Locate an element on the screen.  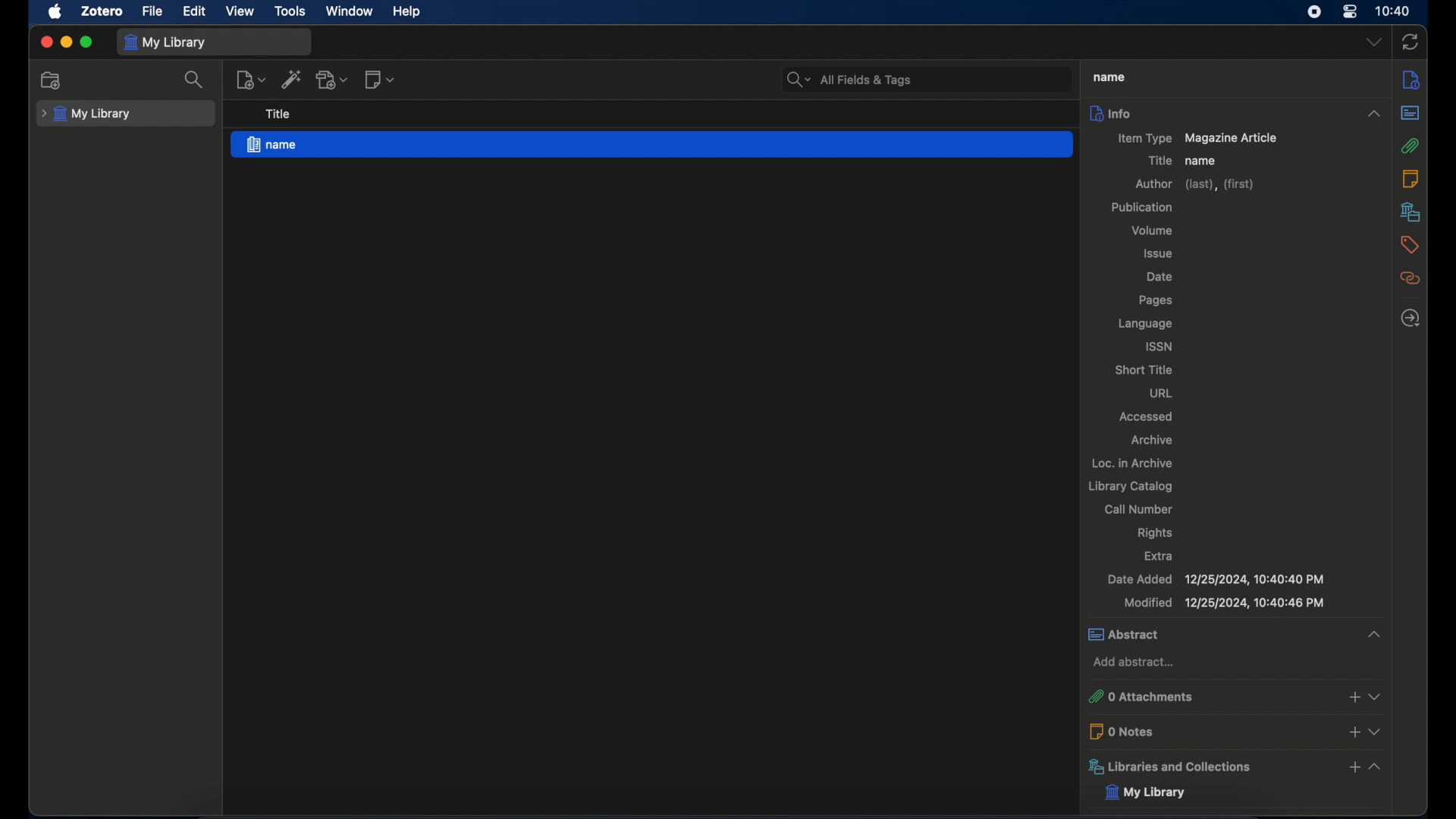
search is located at coordinates (195, 80).